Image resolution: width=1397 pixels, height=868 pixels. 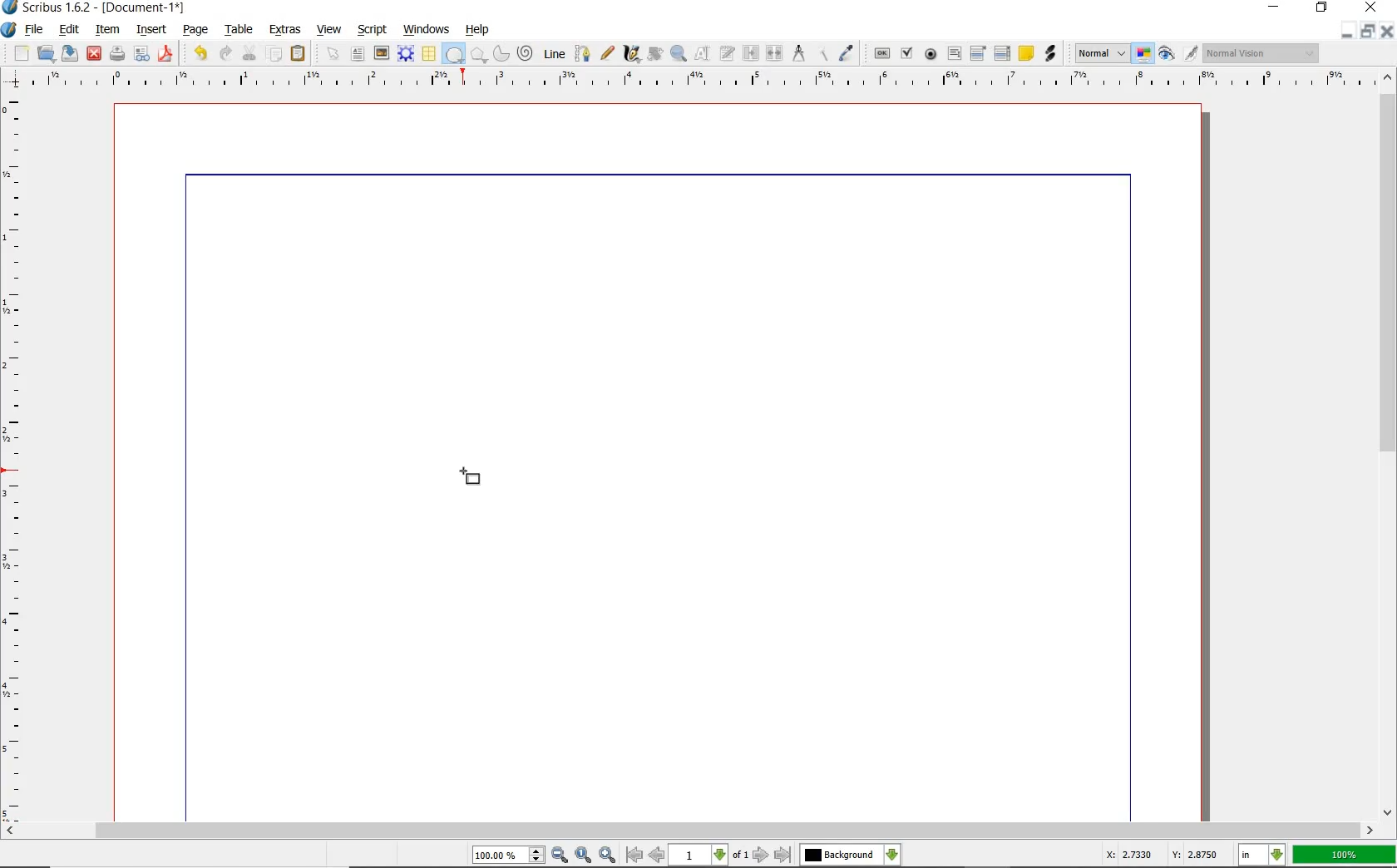 What do you see at coordinates (95, 7) in the screenshot?
I see `SYSTEM NAME` at bounding box center [95, 7].